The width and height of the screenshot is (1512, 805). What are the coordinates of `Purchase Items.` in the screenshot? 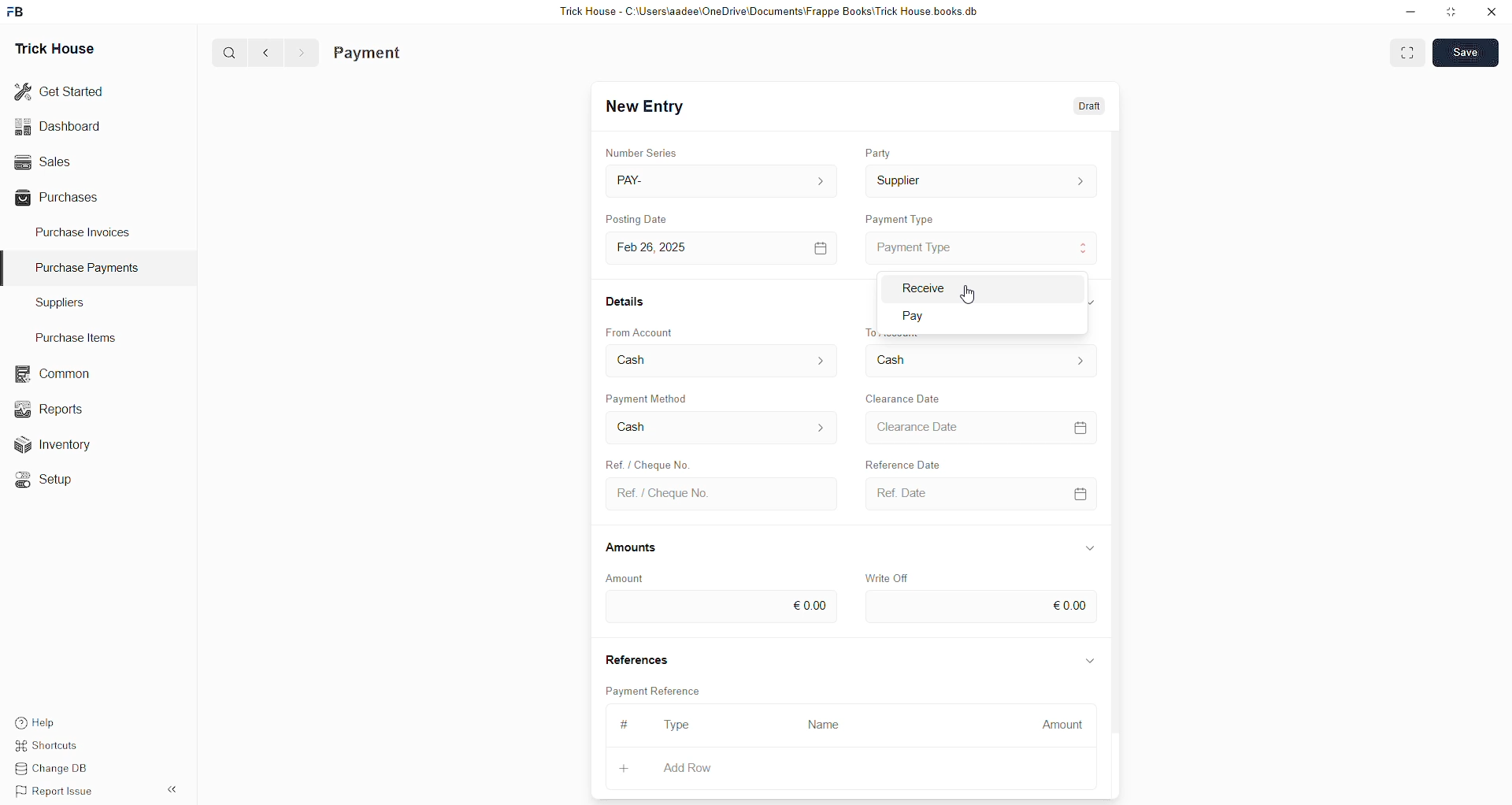 It's located at (73, 336).